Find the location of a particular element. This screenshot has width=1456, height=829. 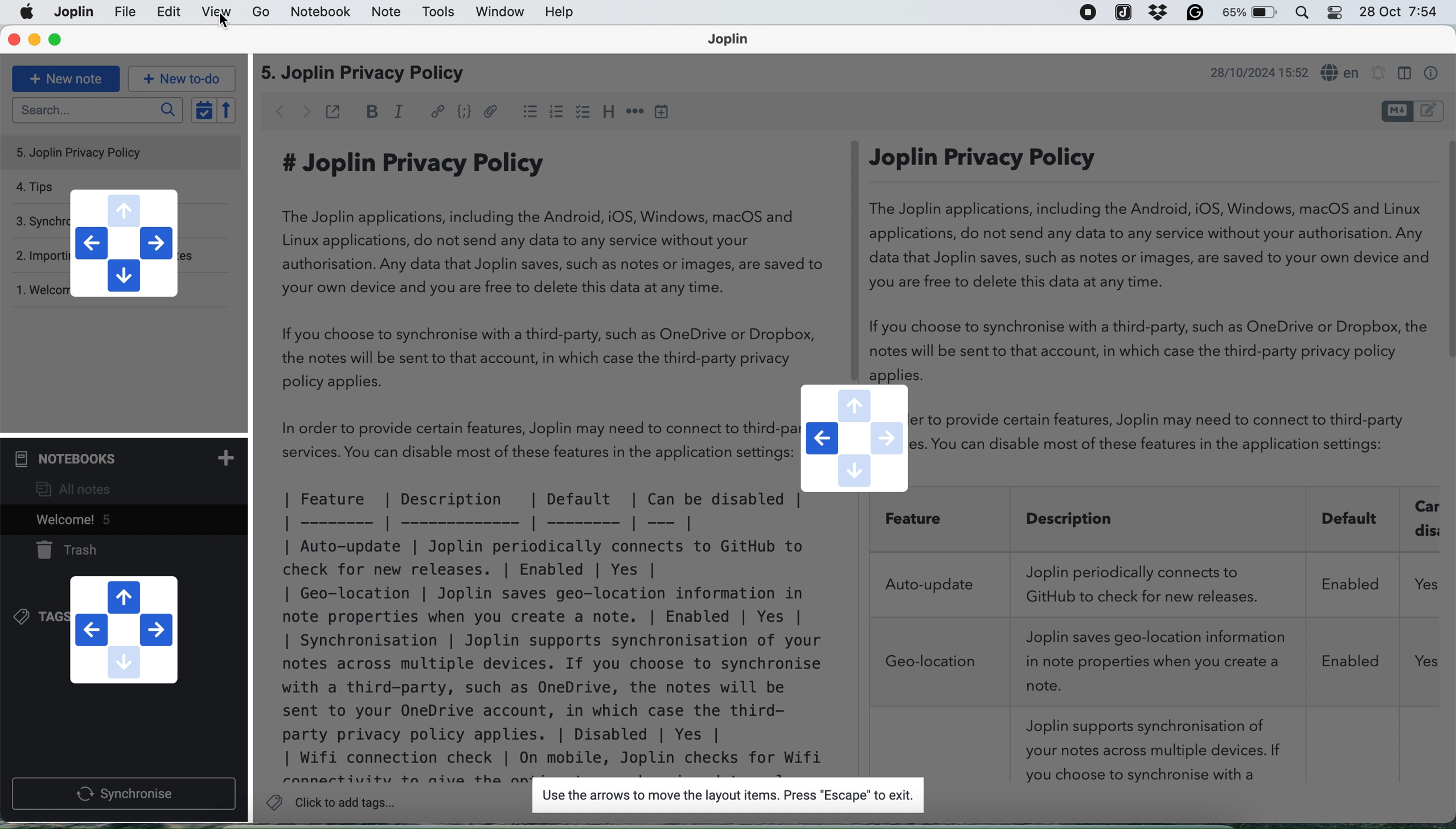

view is located at coordinates (216, 13).